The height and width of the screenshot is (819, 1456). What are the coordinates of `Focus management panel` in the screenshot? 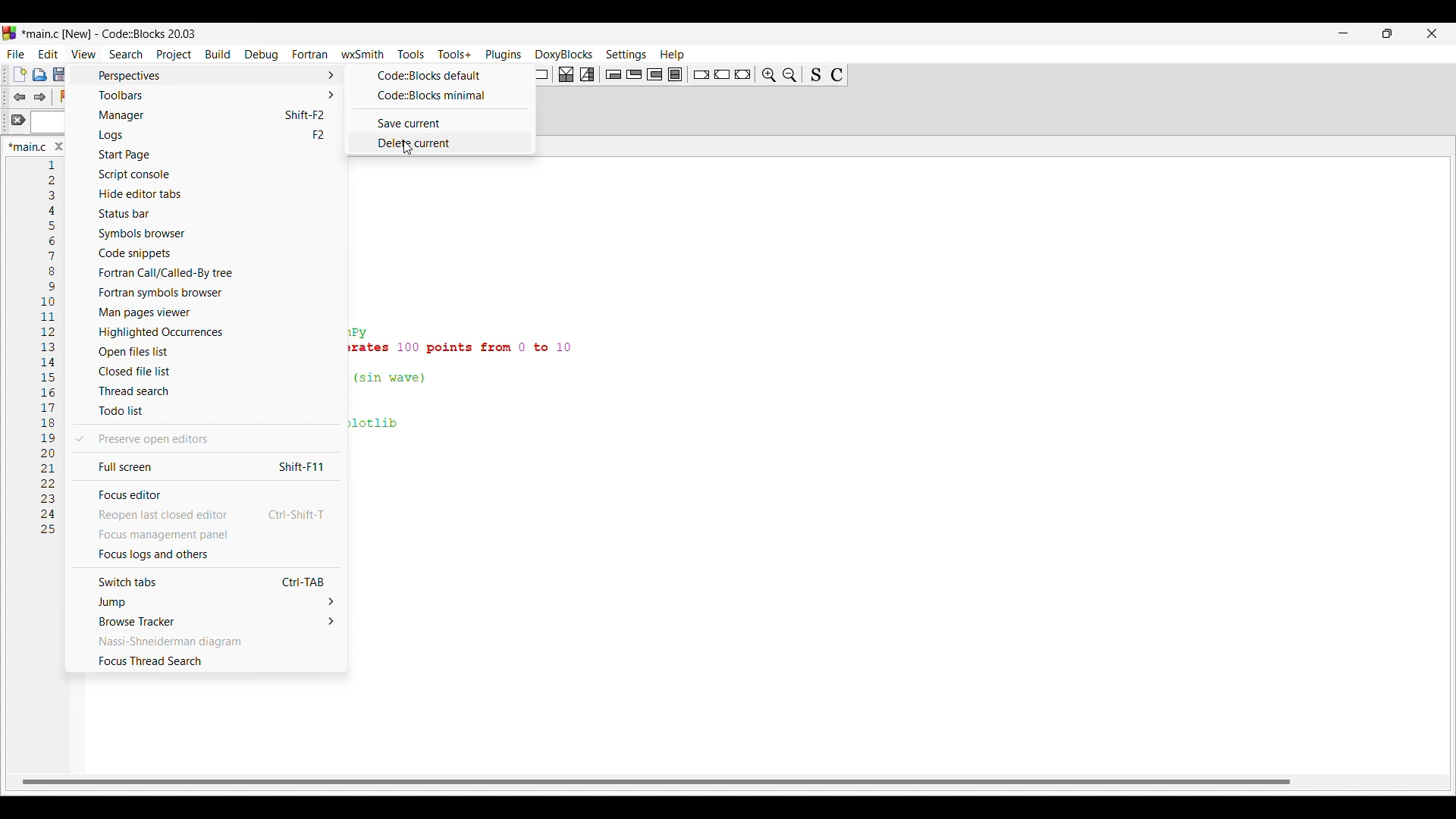 It's located at (206, 534).